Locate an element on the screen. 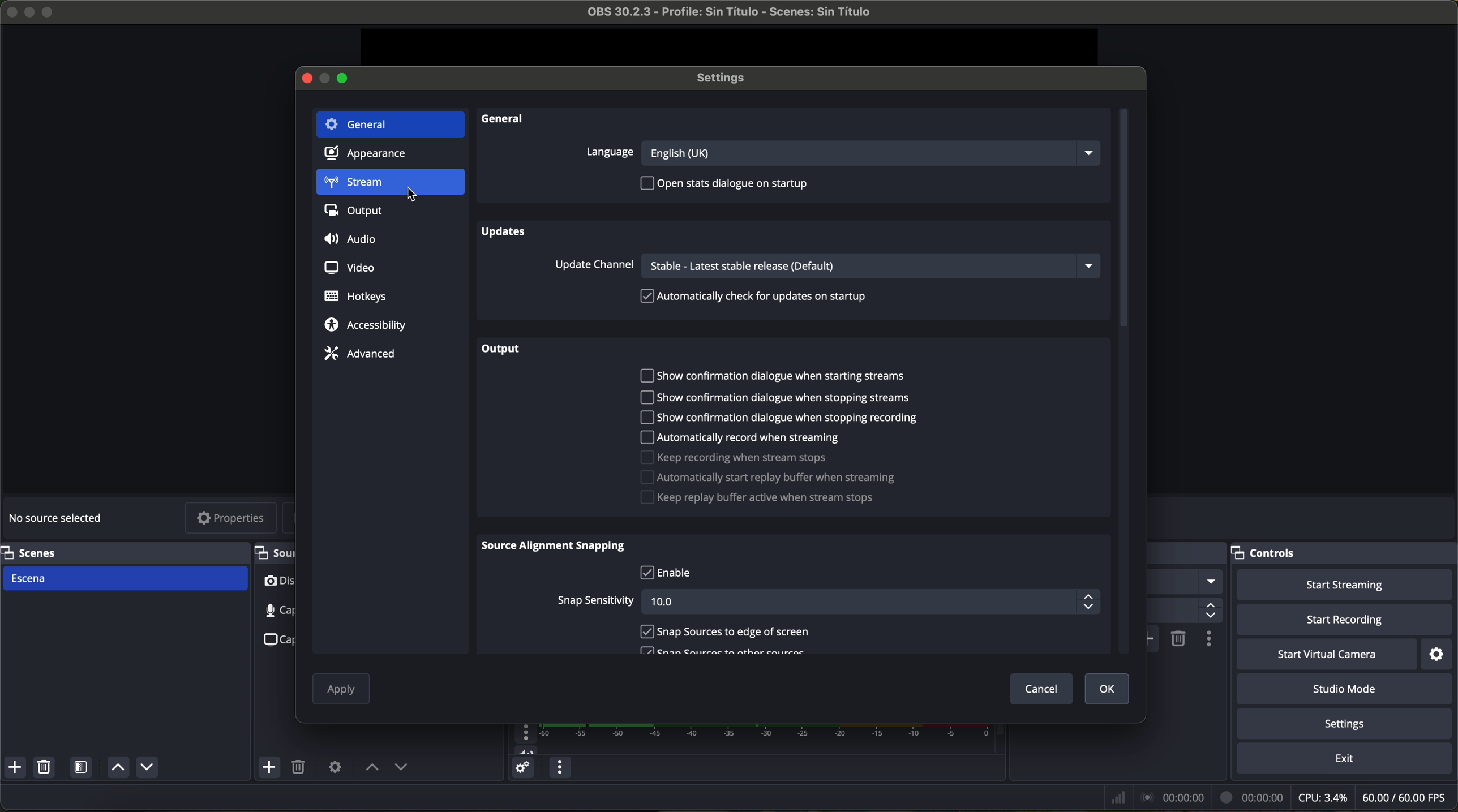 This screenshot has width=1458, height=812. start virtual camera is located at coordinates (1327, 655).